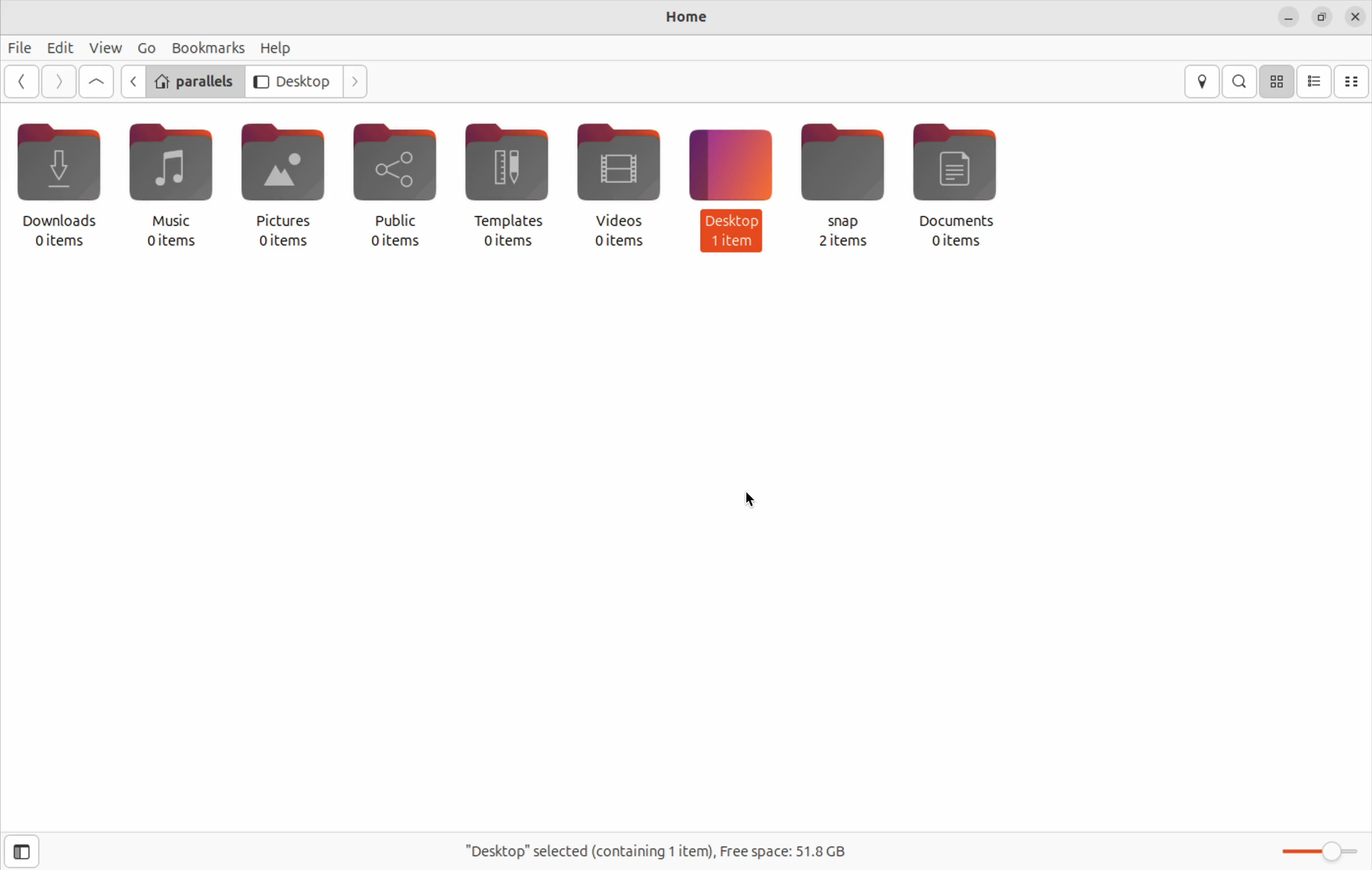 This screenshot has height=870, width=1372. Describe the element at coordinates (976, 189) in the screenshot. I see `documents 0 items` at that location.